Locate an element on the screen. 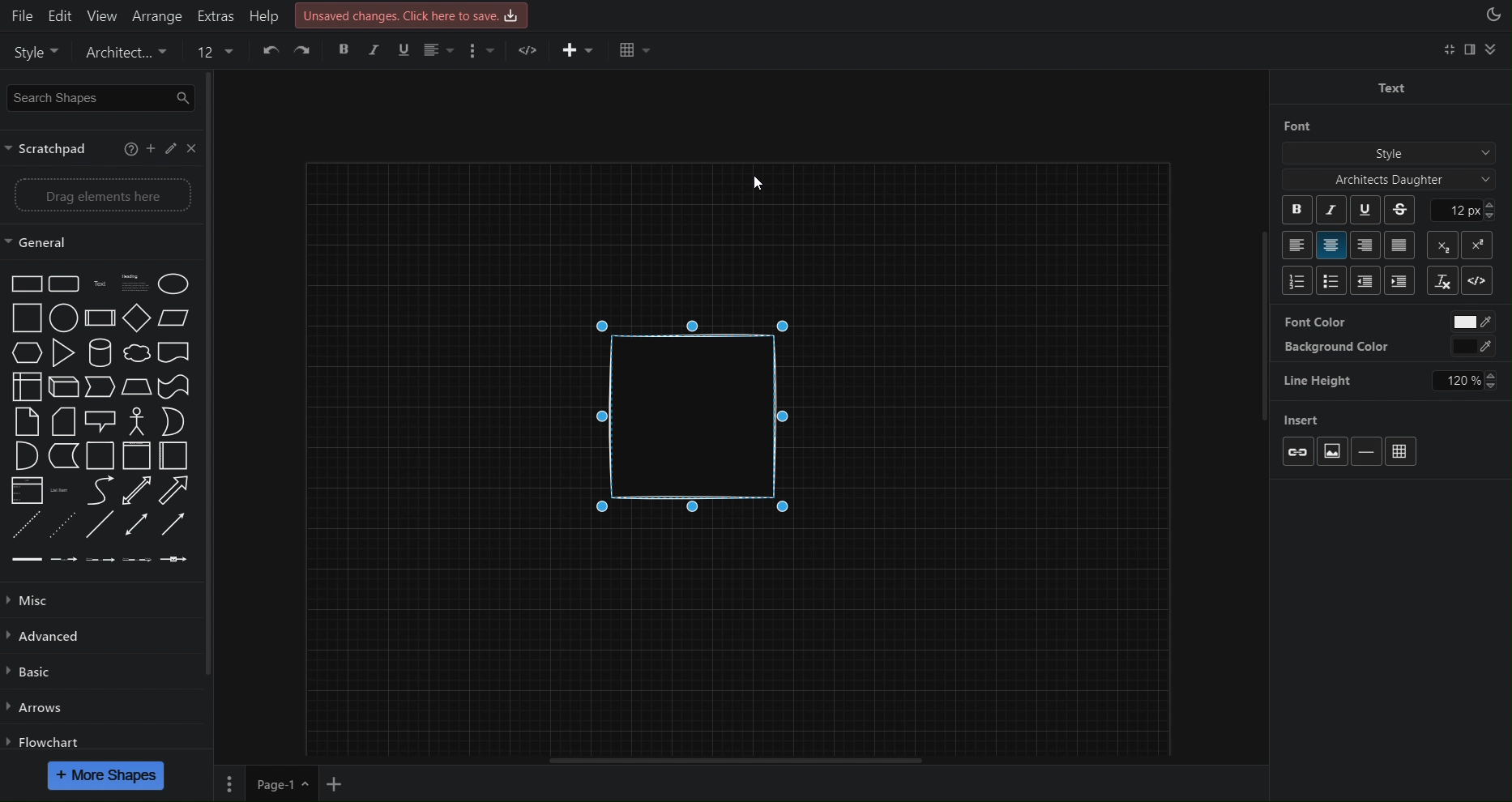  View is located at coordinates (28, 49).